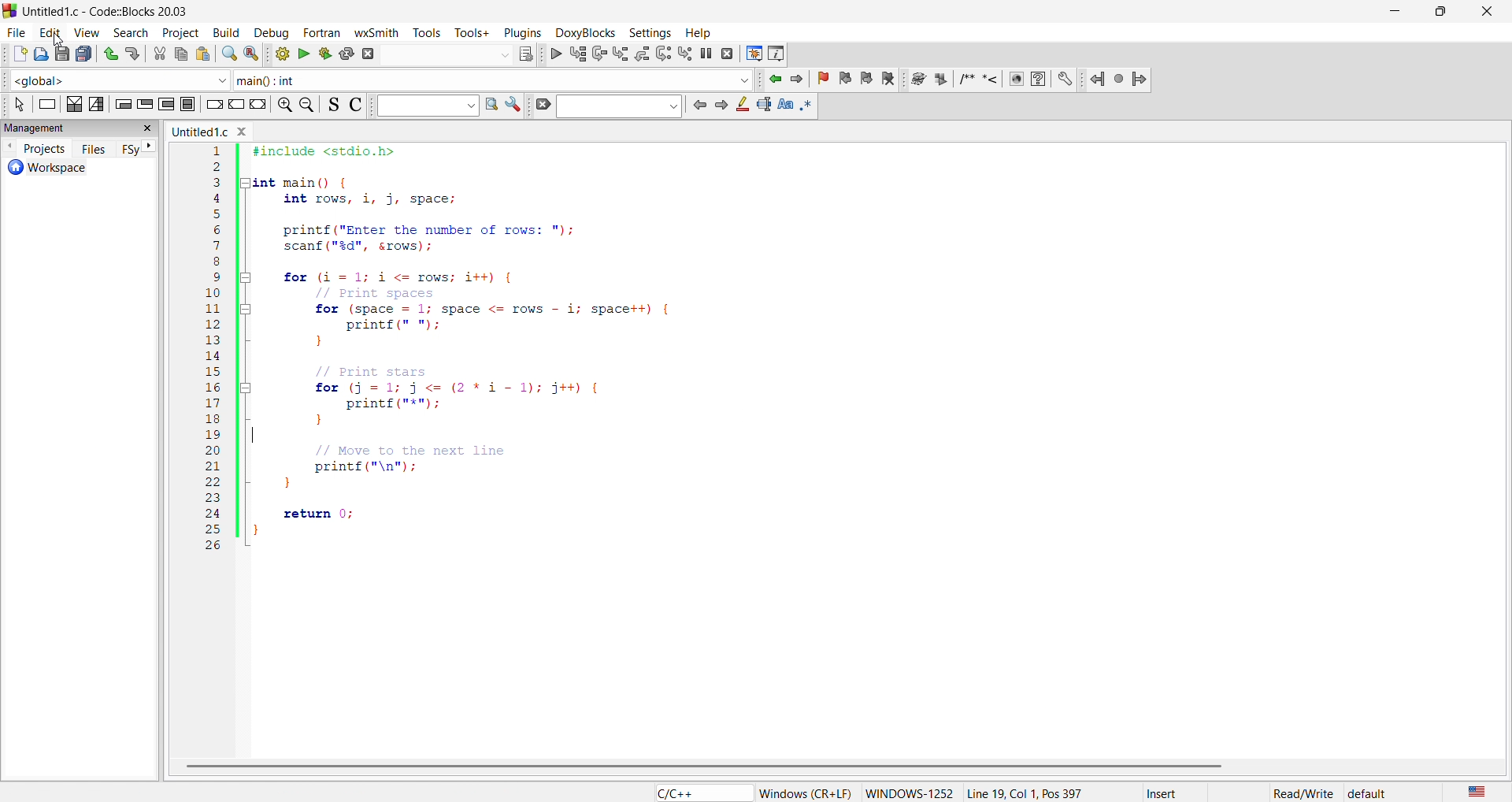  I want to click on redo, so click(135, 54).